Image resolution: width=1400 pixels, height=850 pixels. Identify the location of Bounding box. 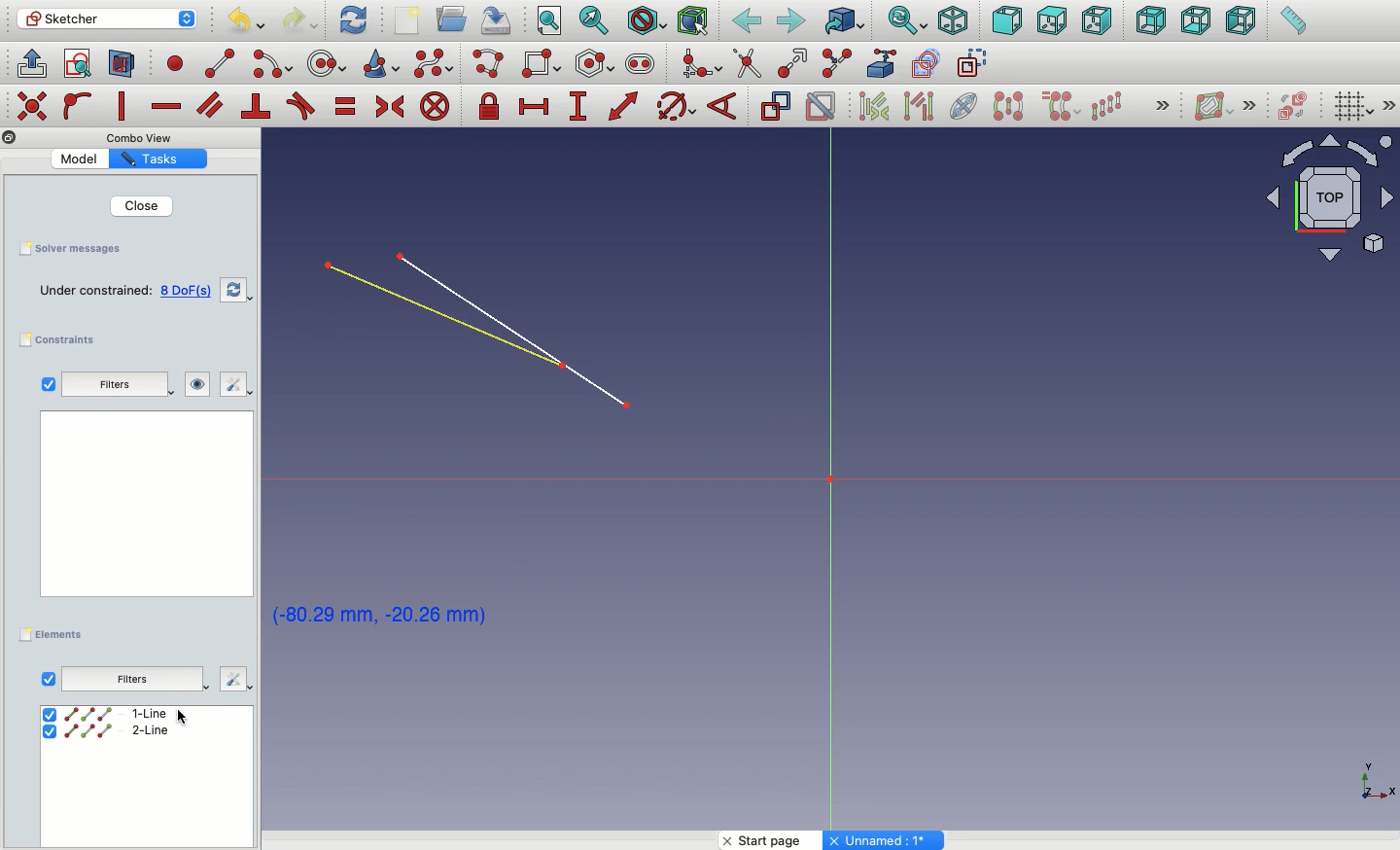
(695, 22).